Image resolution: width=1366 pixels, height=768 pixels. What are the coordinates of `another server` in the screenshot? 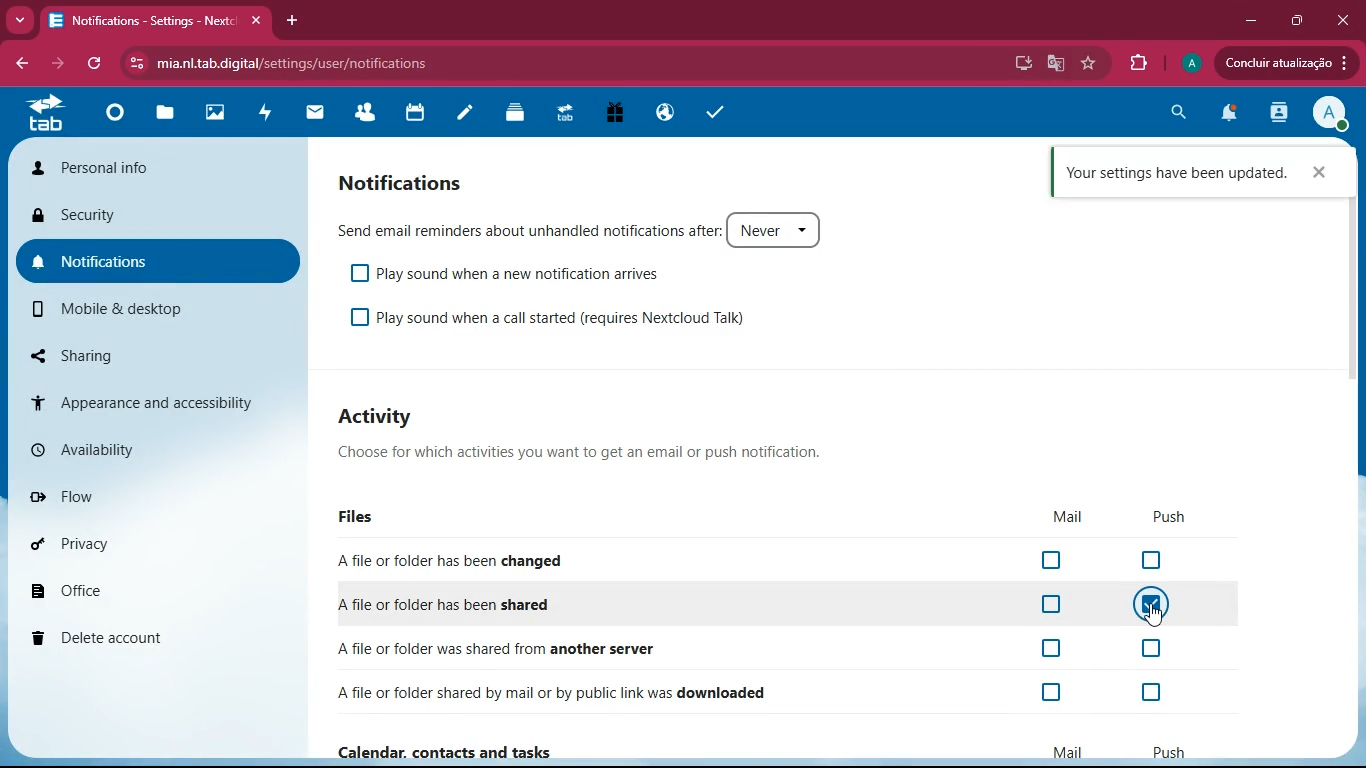 It's located at (604, 647).